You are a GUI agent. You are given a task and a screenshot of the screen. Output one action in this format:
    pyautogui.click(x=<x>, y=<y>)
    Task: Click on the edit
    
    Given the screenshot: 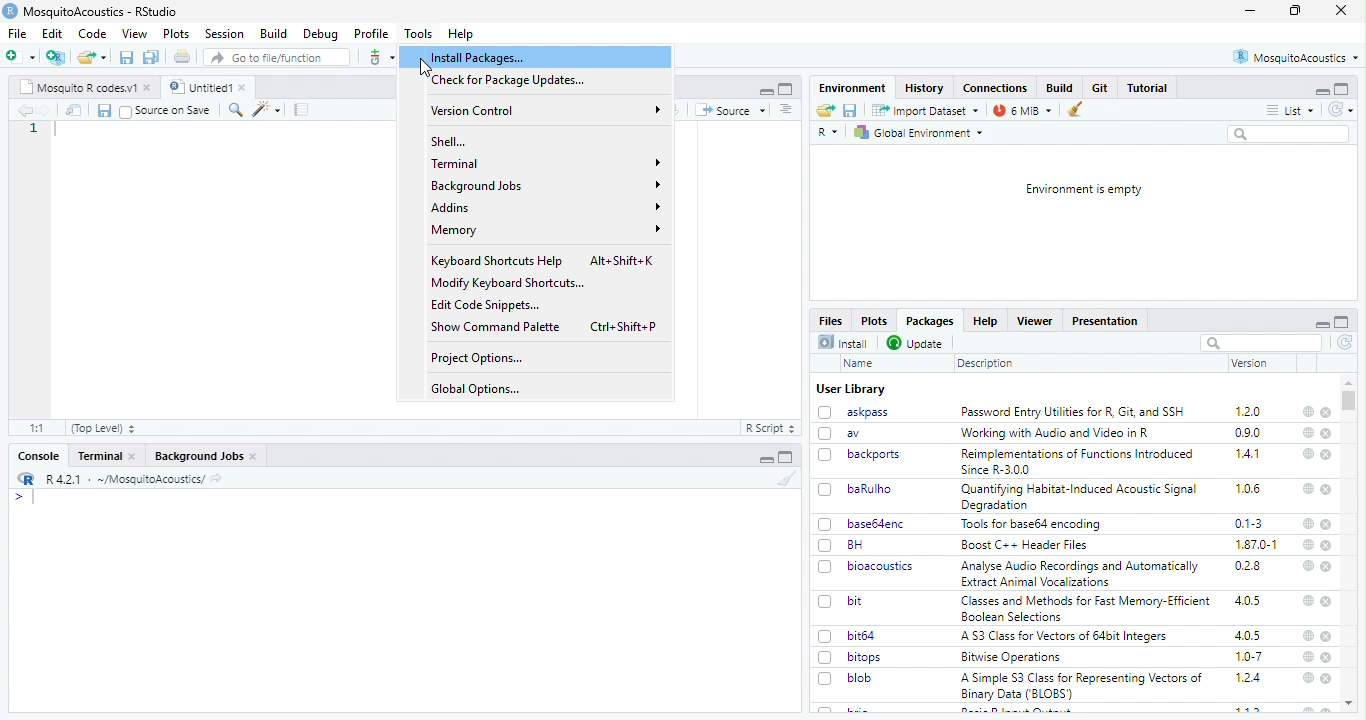 What is the action you would take?
    pyautogui.click(x=266, y=110)
    